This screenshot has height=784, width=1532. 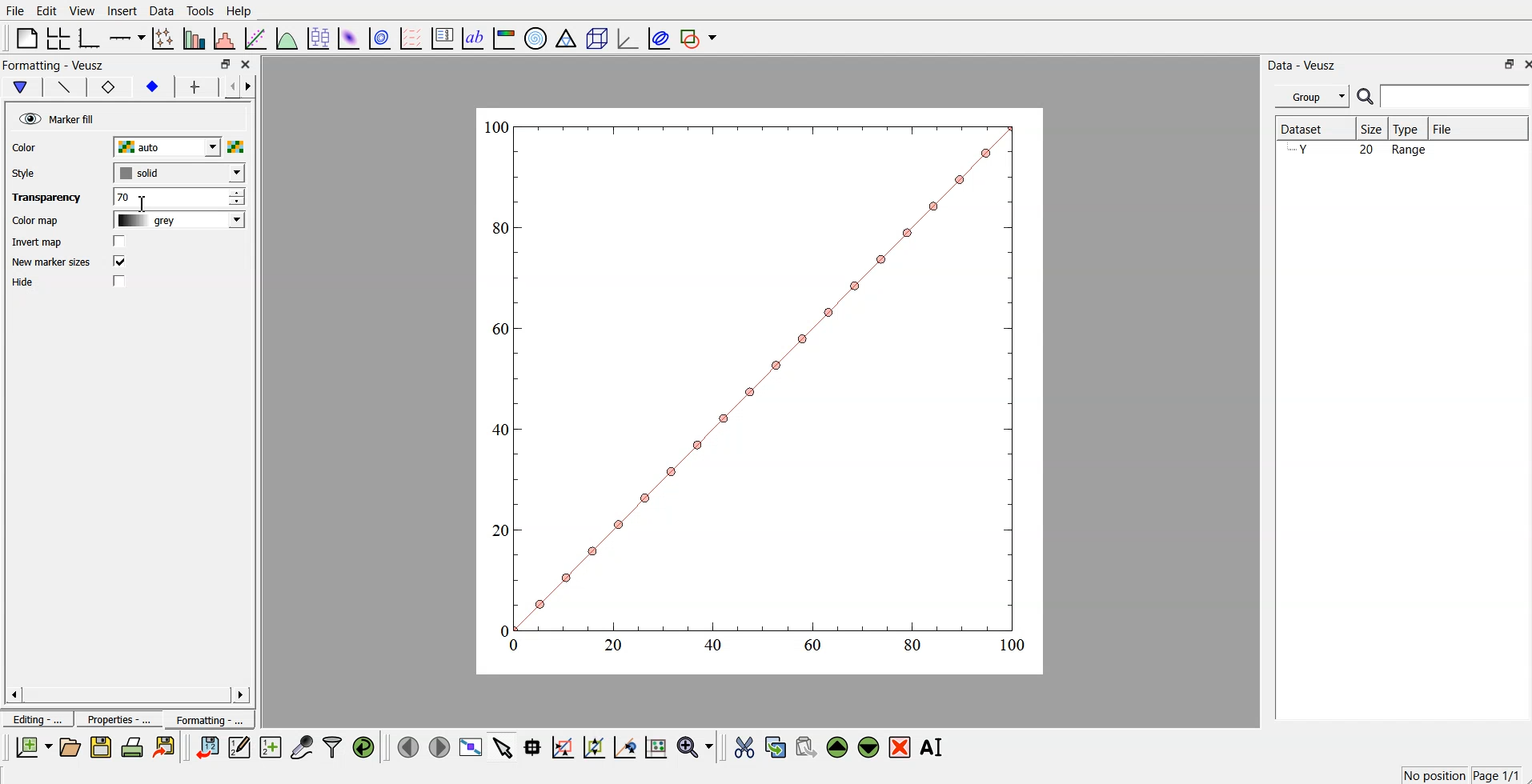 What do you see at coordinates (1478, 128) in the screenshot?
I see `File` at bounding box center [1478, 128].